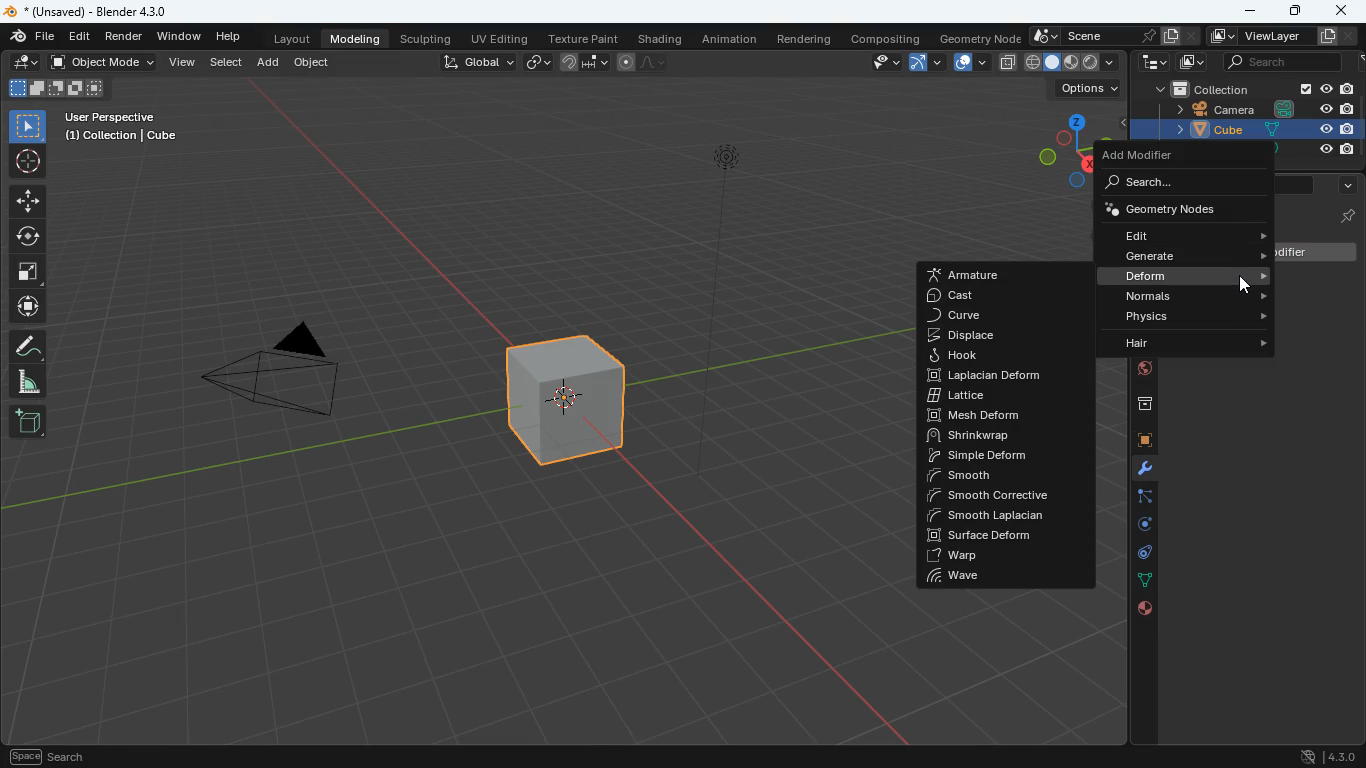  Describe the element at coordinates (1322, 754) in the screenshot. I see `version` at that location.